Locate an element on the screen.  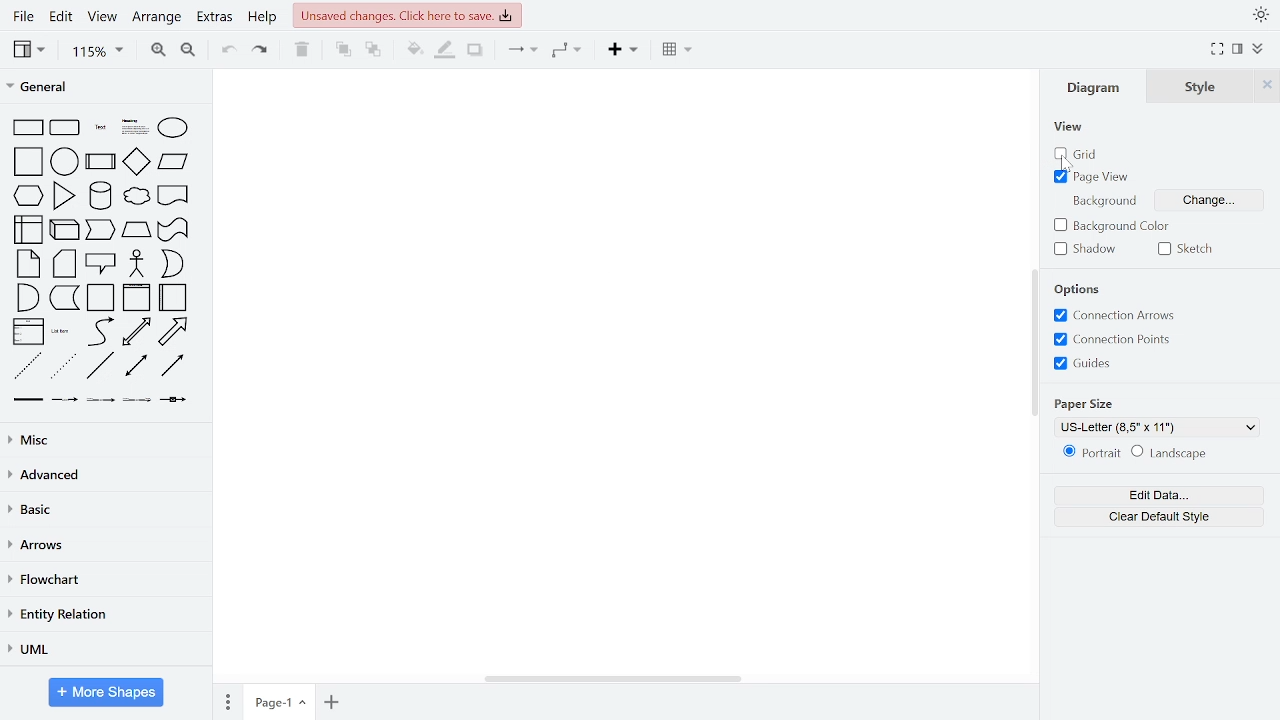
style is located at coordinates (1201, 88).